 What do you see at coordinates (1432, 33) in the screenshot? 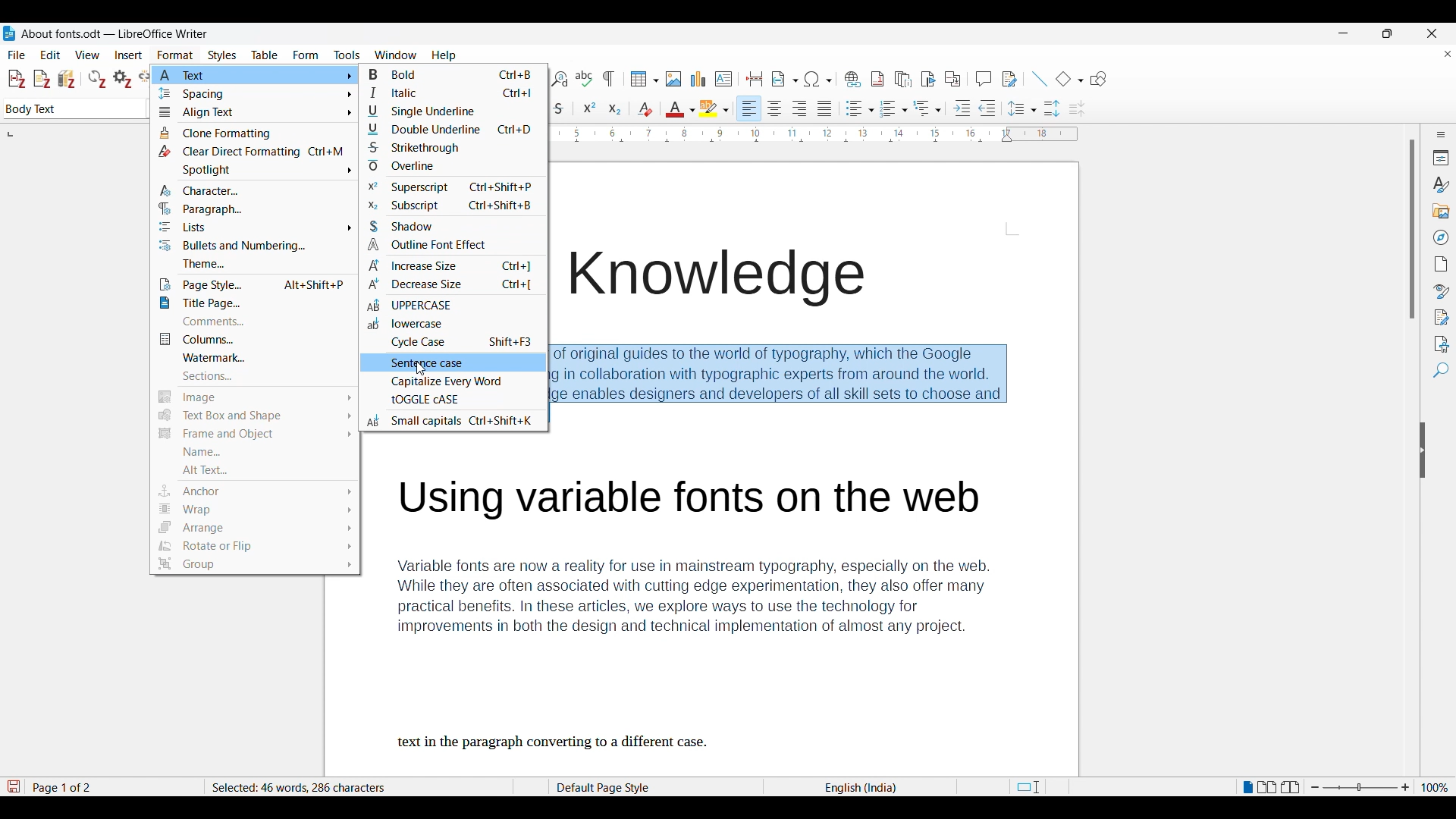
I see `Close interface` at bounding box center [1432, 33].